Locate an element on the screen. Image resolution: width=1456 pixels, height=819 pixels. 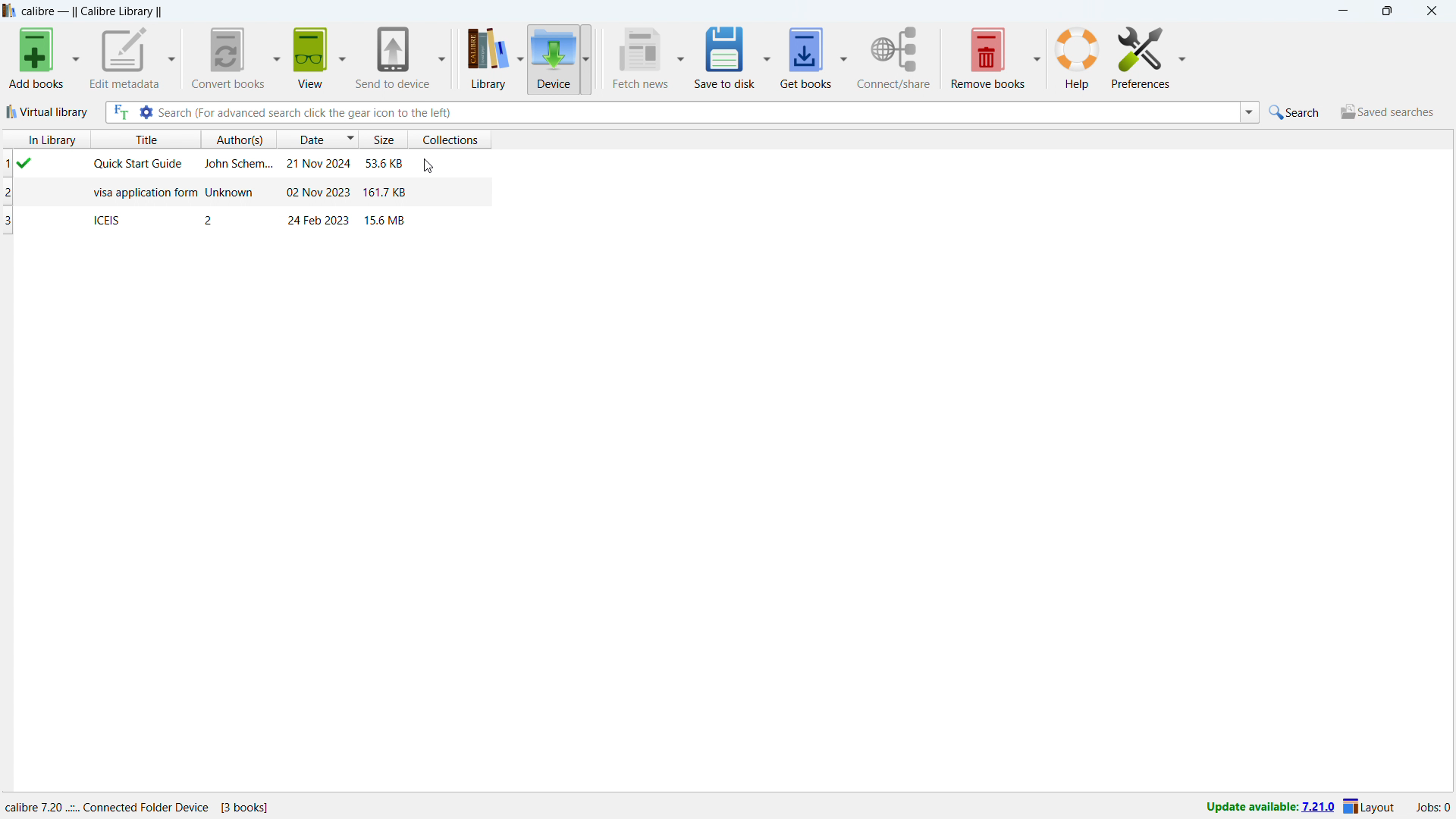
get books options is located at coordinates (845, 55).